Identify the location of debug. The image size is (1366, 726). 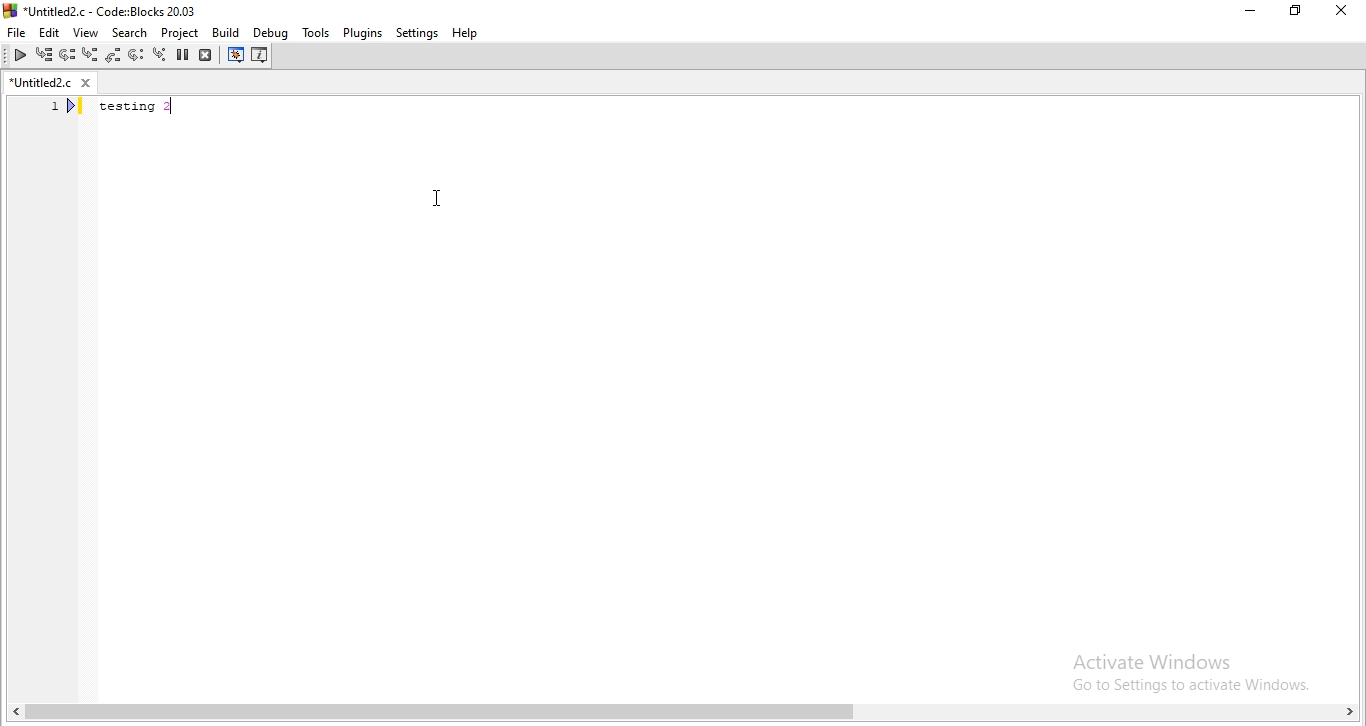
(18, 57).